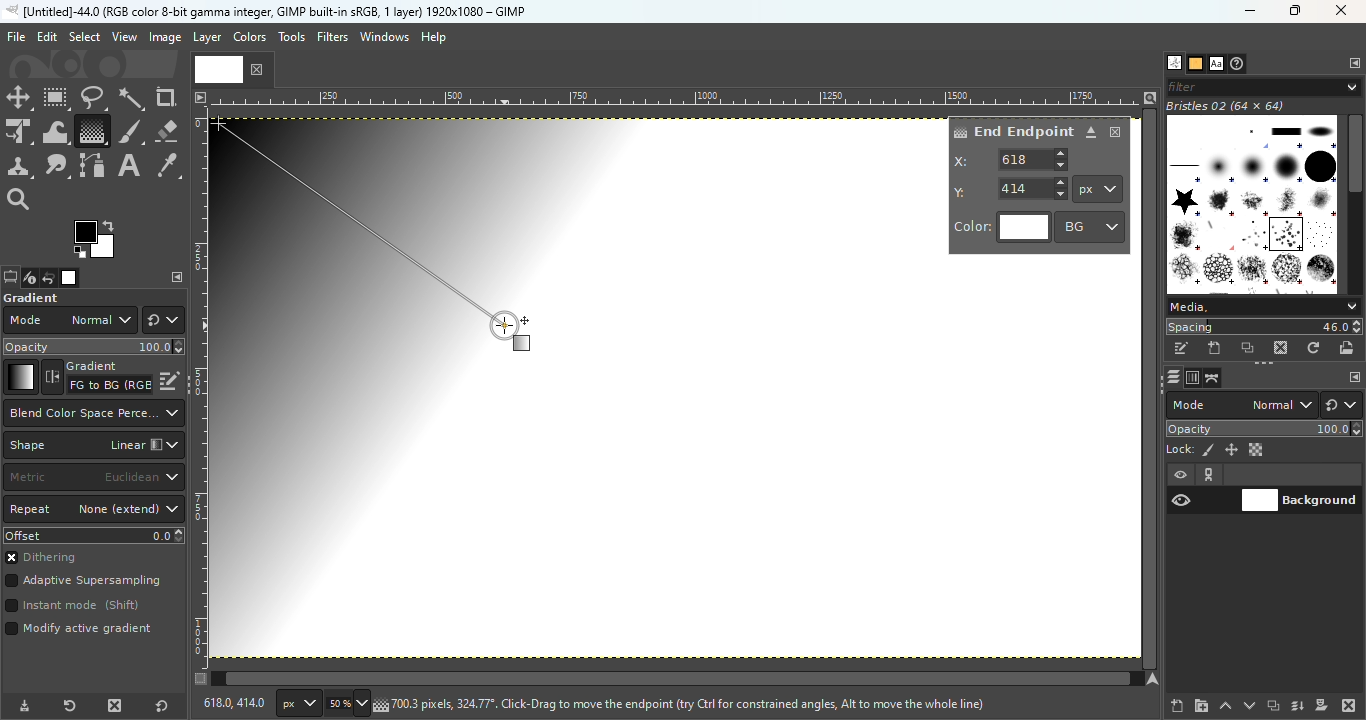  Describe the element at coordinates (1300, 11) in the screenshot. I see `Maximize` at that location.